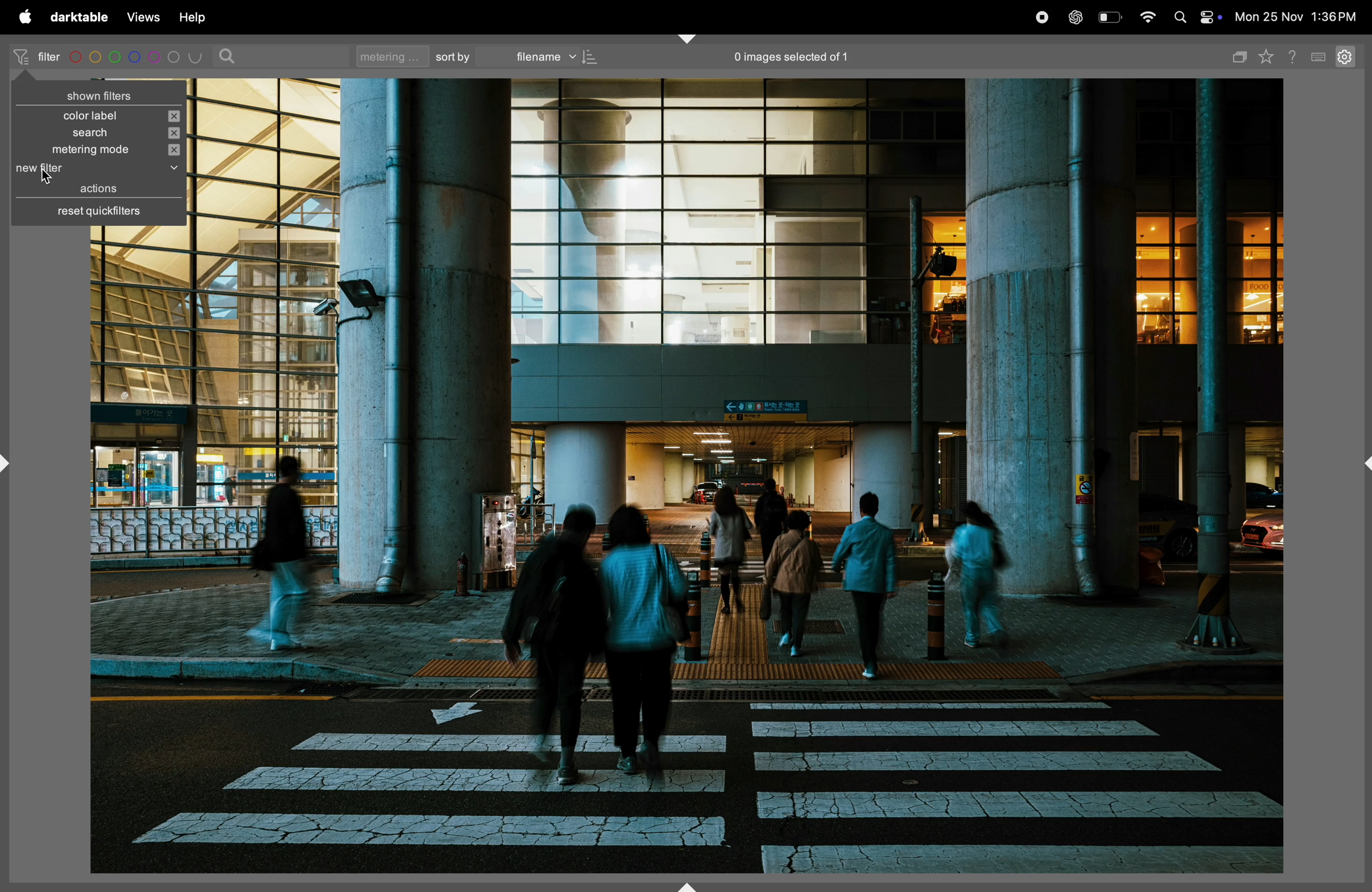 The image size is (1372, 892). I want to click on favourites, so click(1269, 58).